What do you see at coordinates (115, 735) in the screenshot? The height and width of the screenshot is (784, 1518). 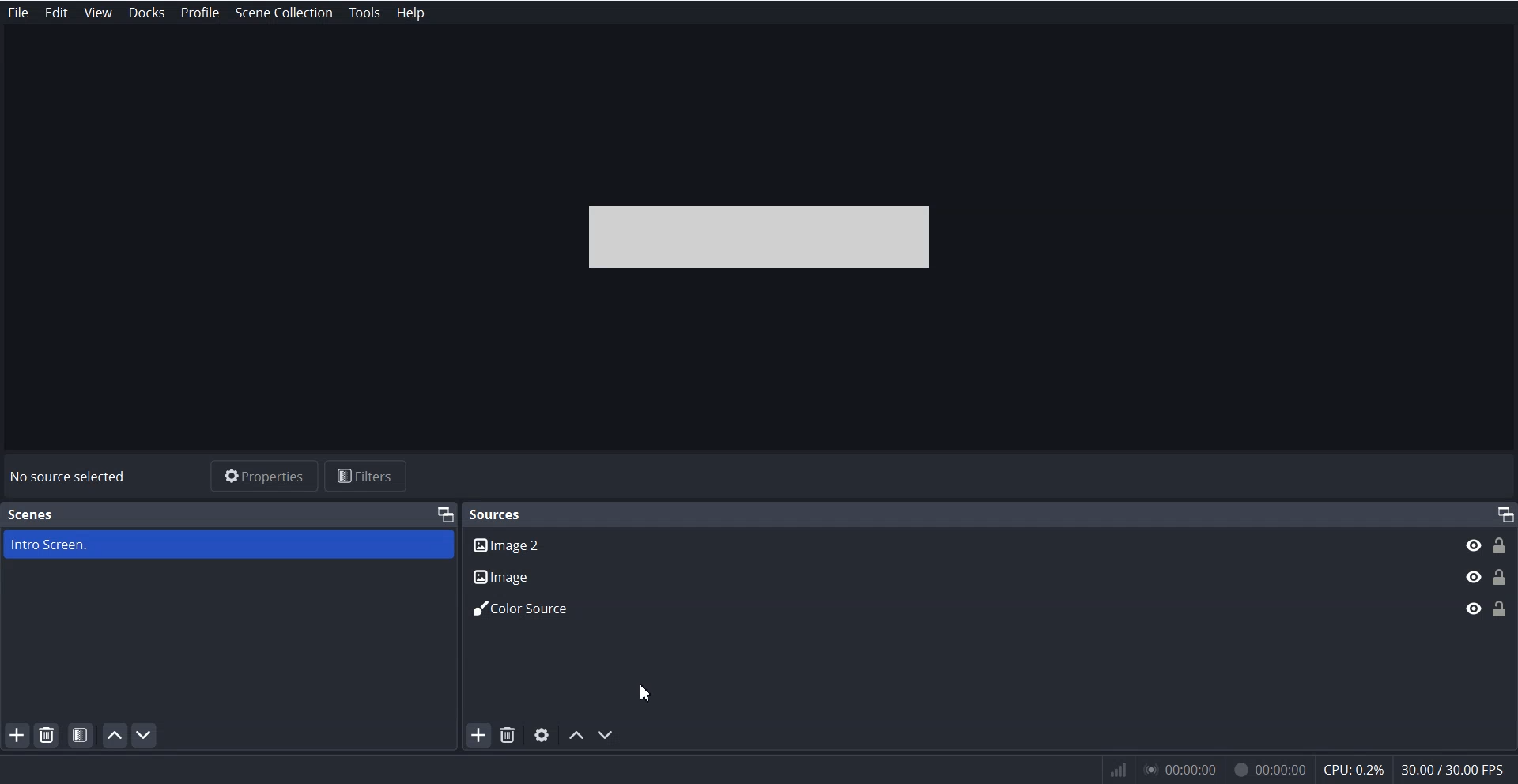 I see `Move Scene Up` at bounding box center [115, 735].